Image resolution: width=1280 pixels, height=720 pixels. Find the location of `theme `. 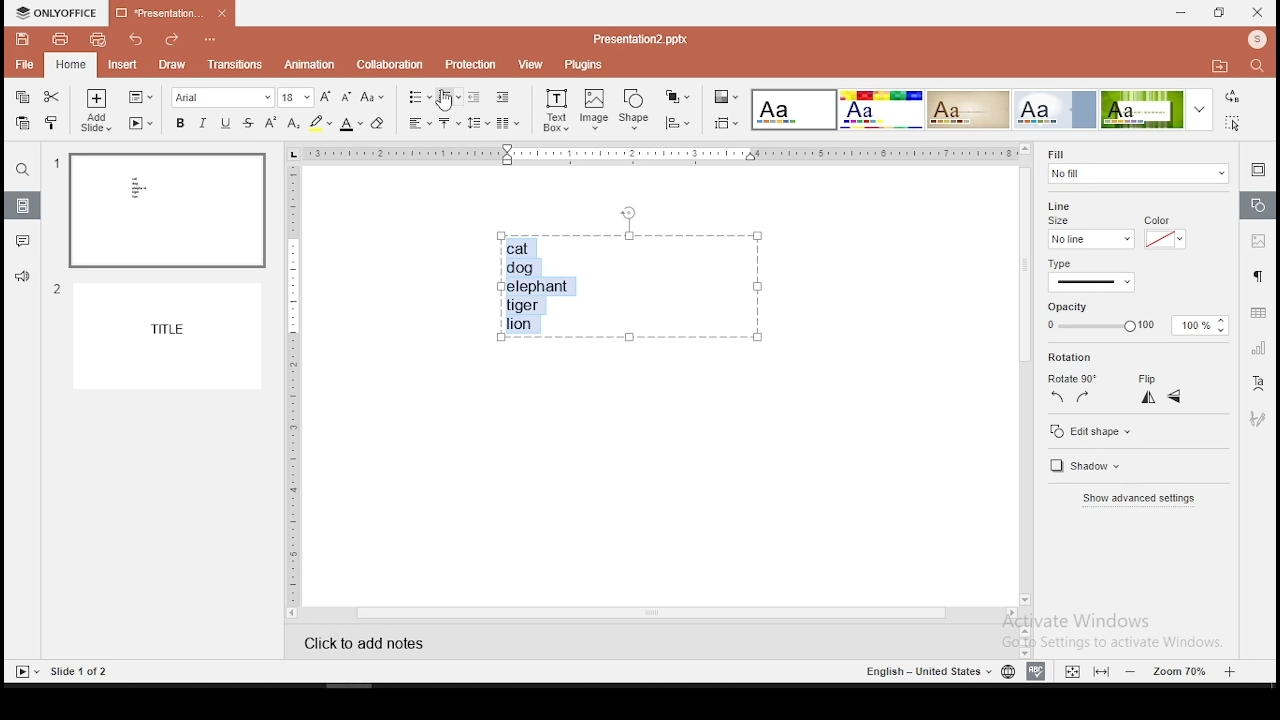

theme  is located at coordinates (968, 109).